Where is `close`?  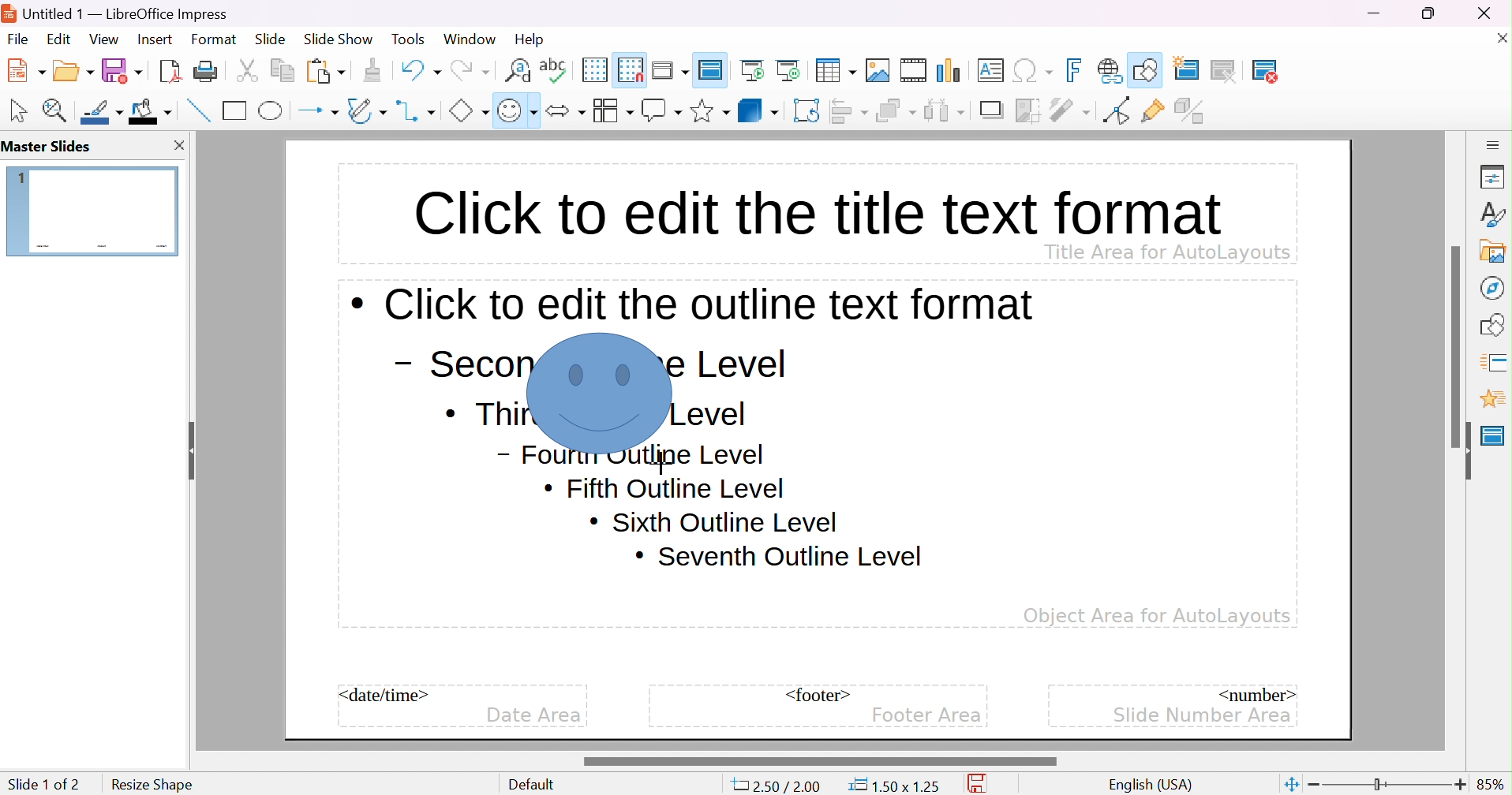 close is located at coordinates (1499, 37).